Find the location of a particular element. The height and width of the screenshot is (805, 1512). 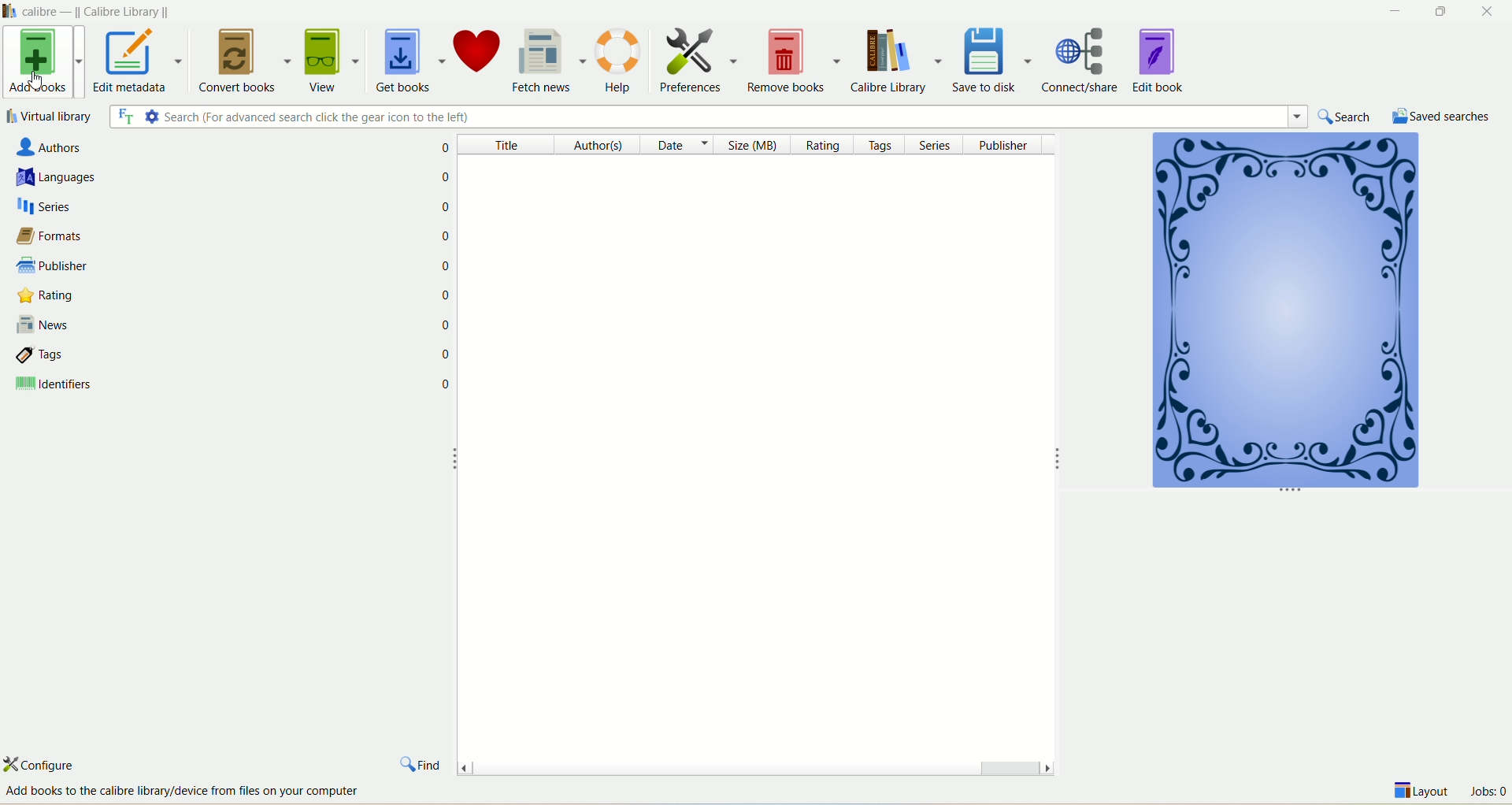

remove books is located at coordinates (796, 61).